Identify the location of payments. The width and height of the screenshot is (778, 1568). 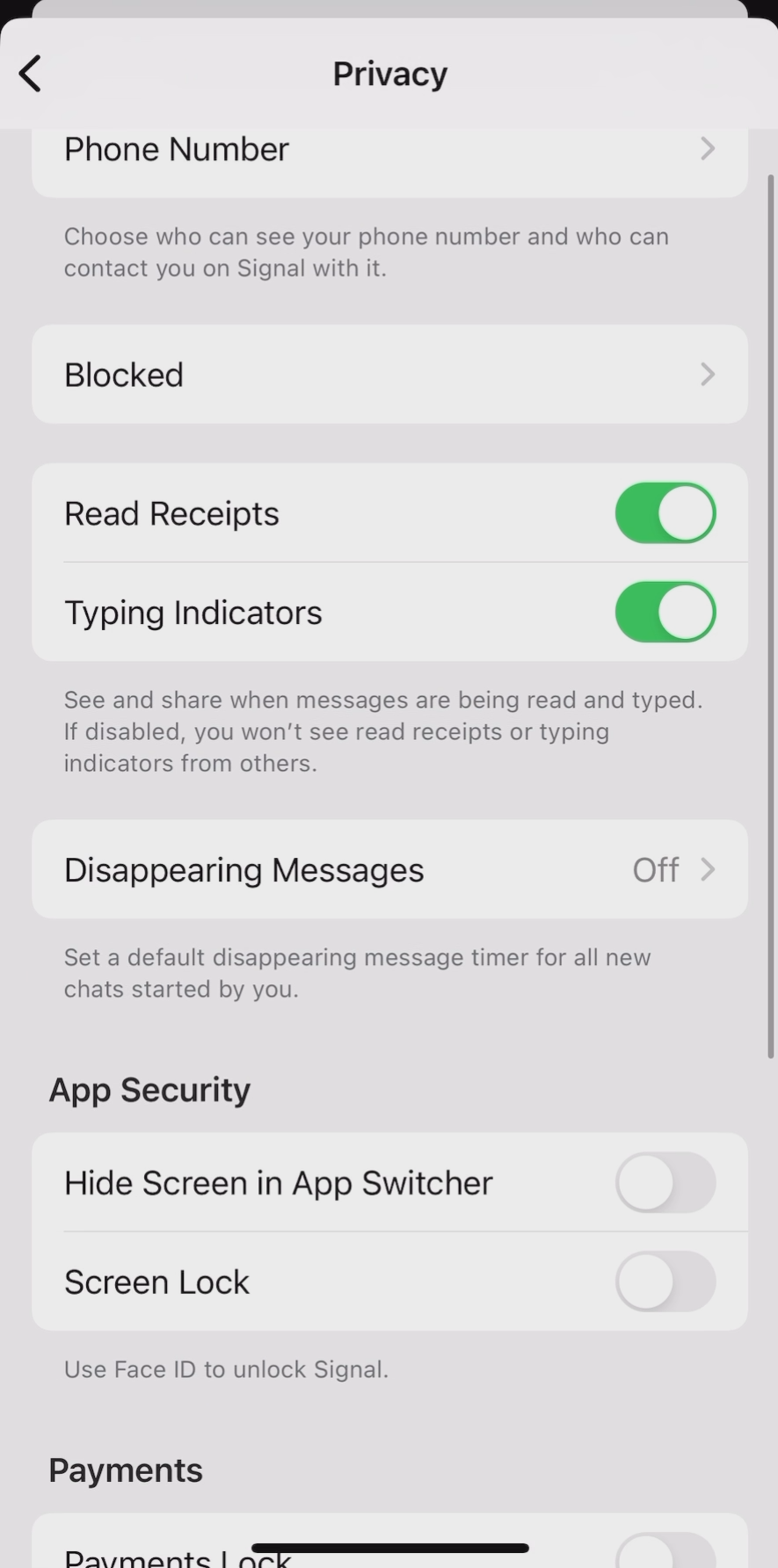
(127, 1464).